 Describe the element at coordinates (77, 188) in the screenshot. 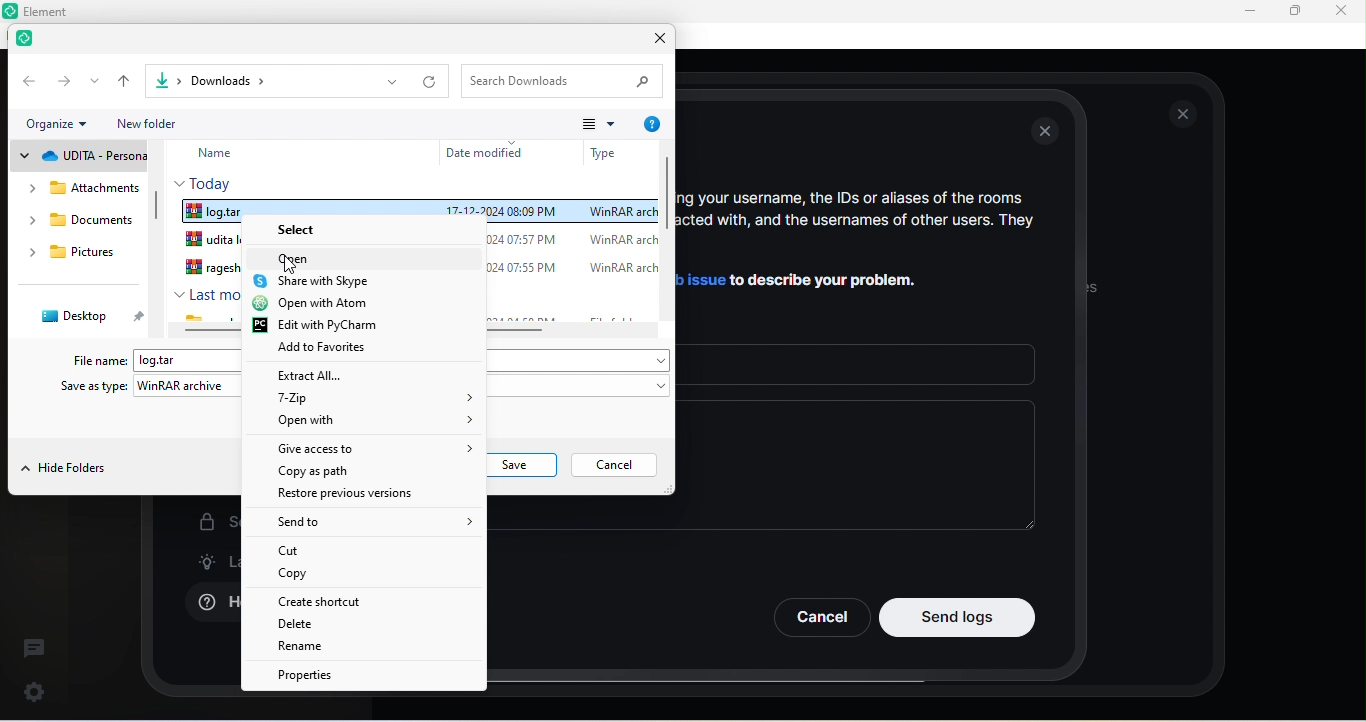

I see `attachments` at that location.